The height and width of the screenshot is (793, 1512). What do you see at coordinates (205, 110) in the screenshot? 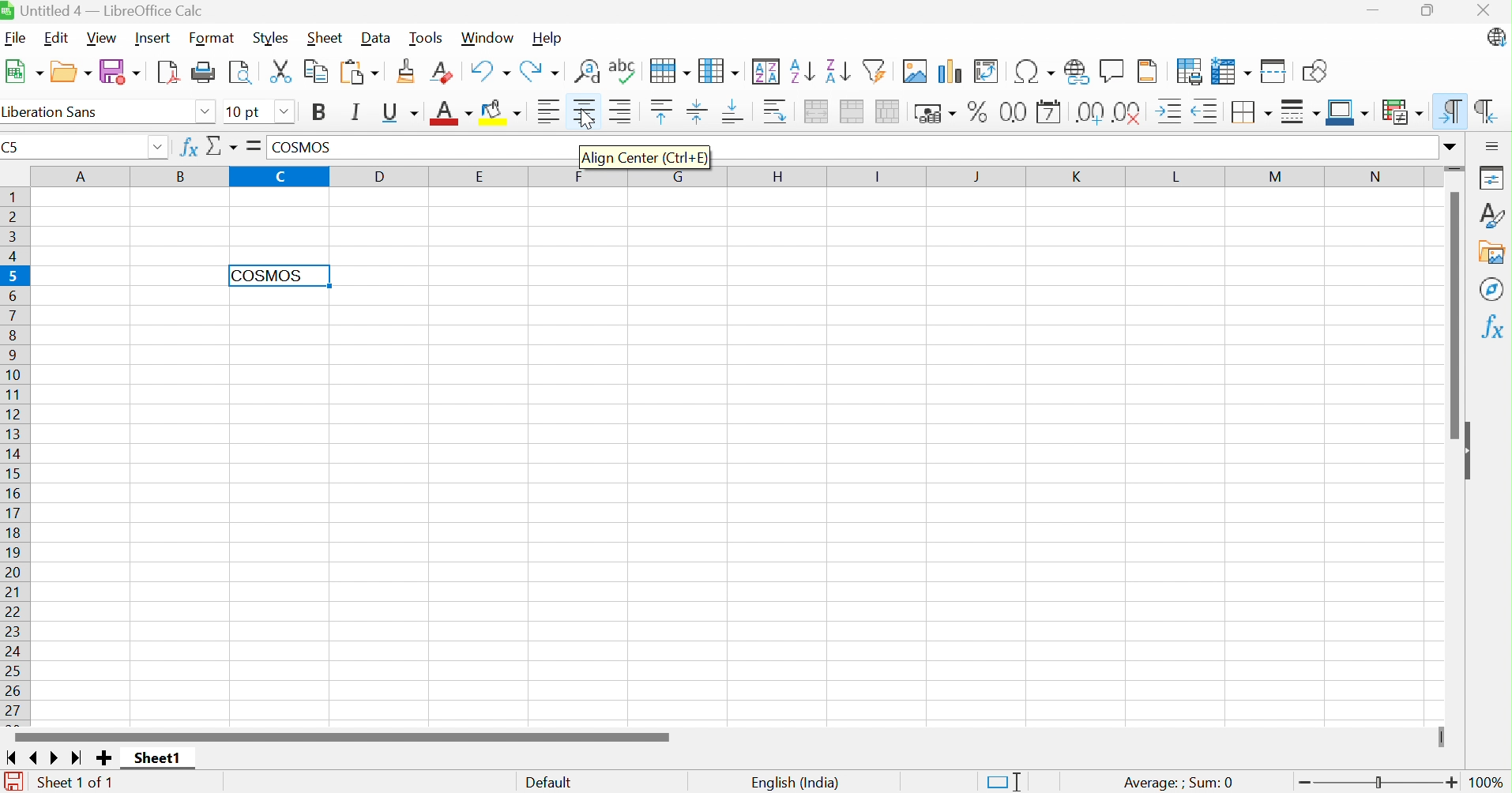
I see `Drop Down` at bounding box center [205, 110].